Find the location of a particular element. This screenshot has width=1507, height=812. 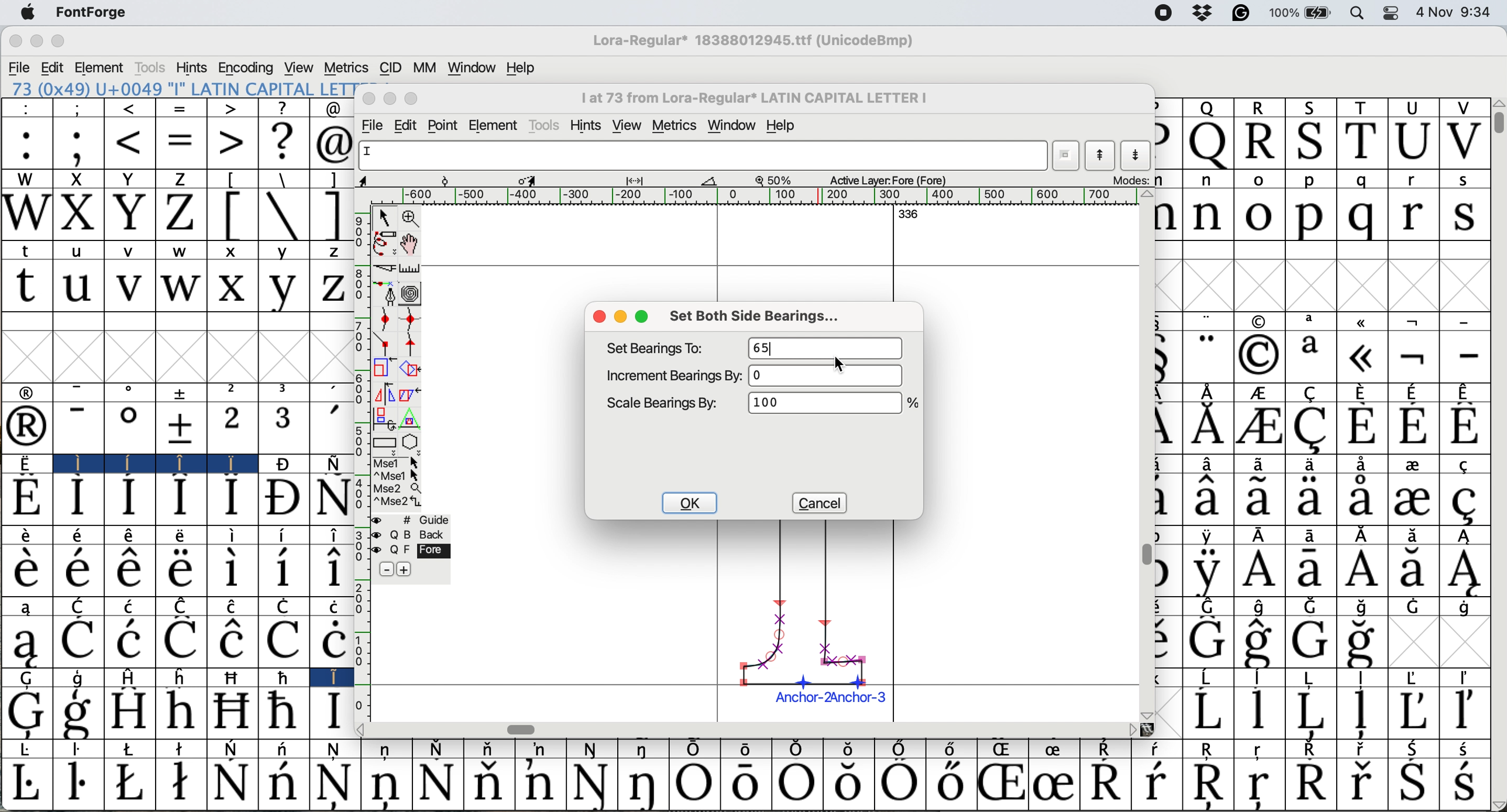

cursor is located at coordinates (838, 362).